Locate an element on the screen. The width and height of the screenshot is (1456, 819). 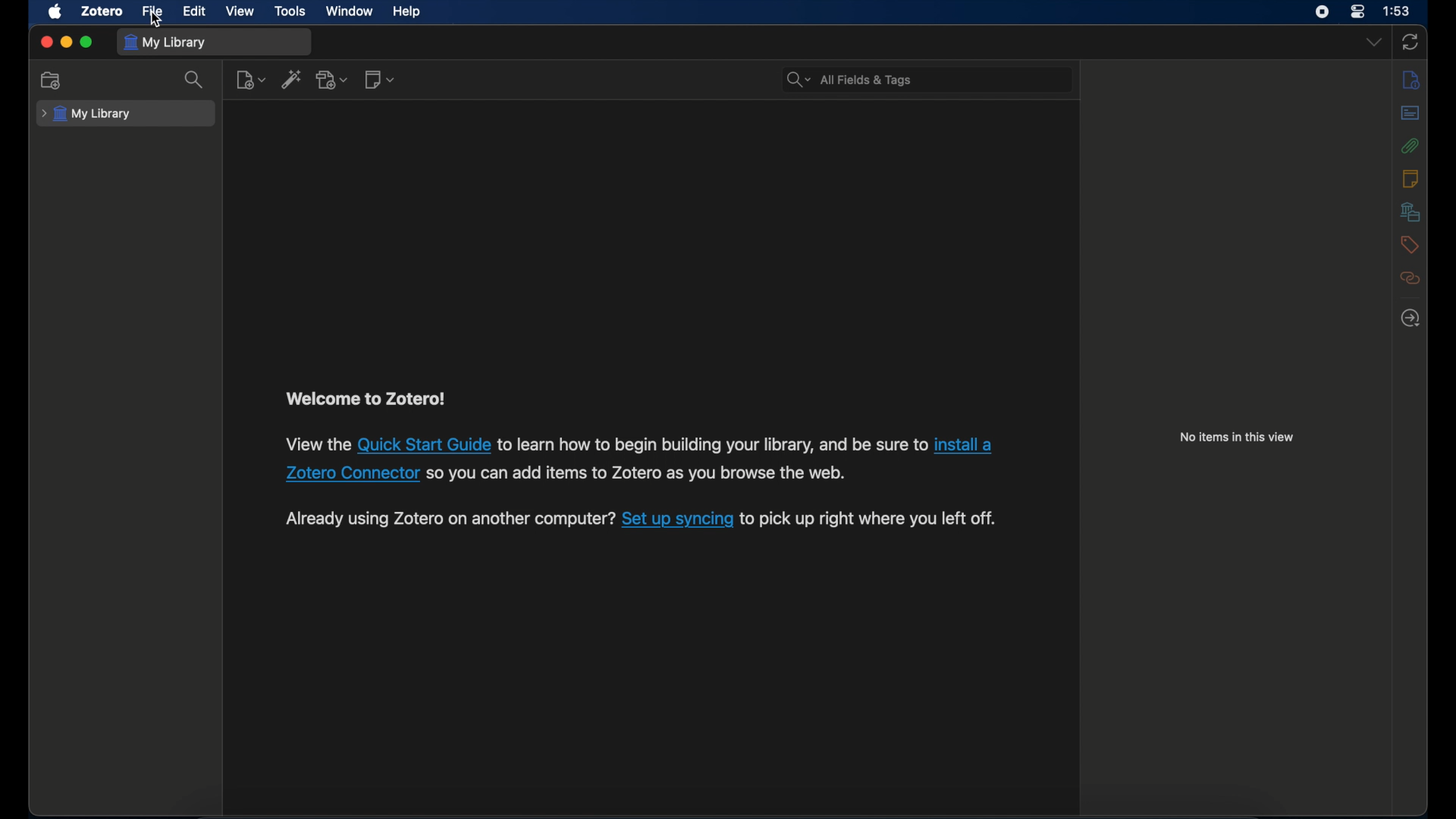
new note is located at coordinates (381, 79).